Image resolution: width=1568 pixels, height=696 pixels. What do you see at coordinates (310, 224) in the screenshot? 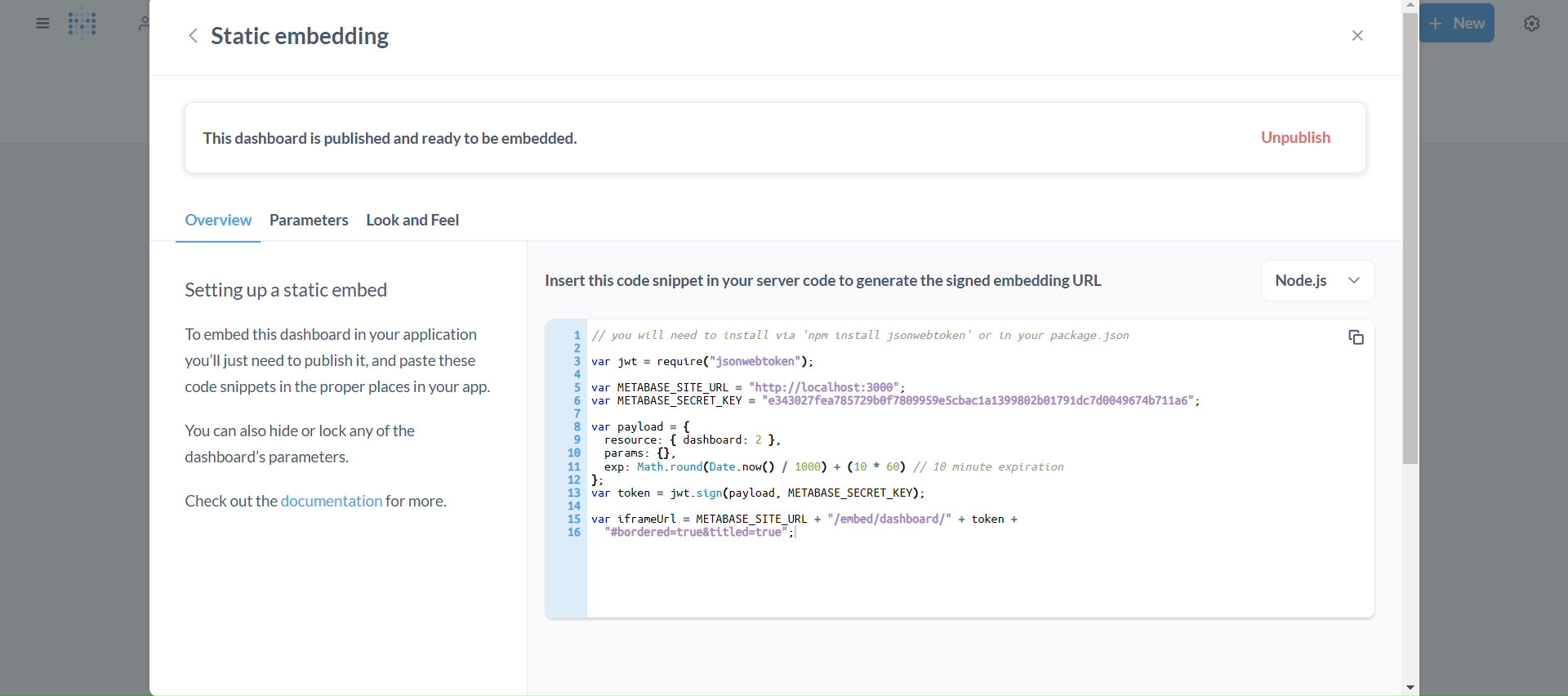
I see `parameters` at bounding box center [310, 224].